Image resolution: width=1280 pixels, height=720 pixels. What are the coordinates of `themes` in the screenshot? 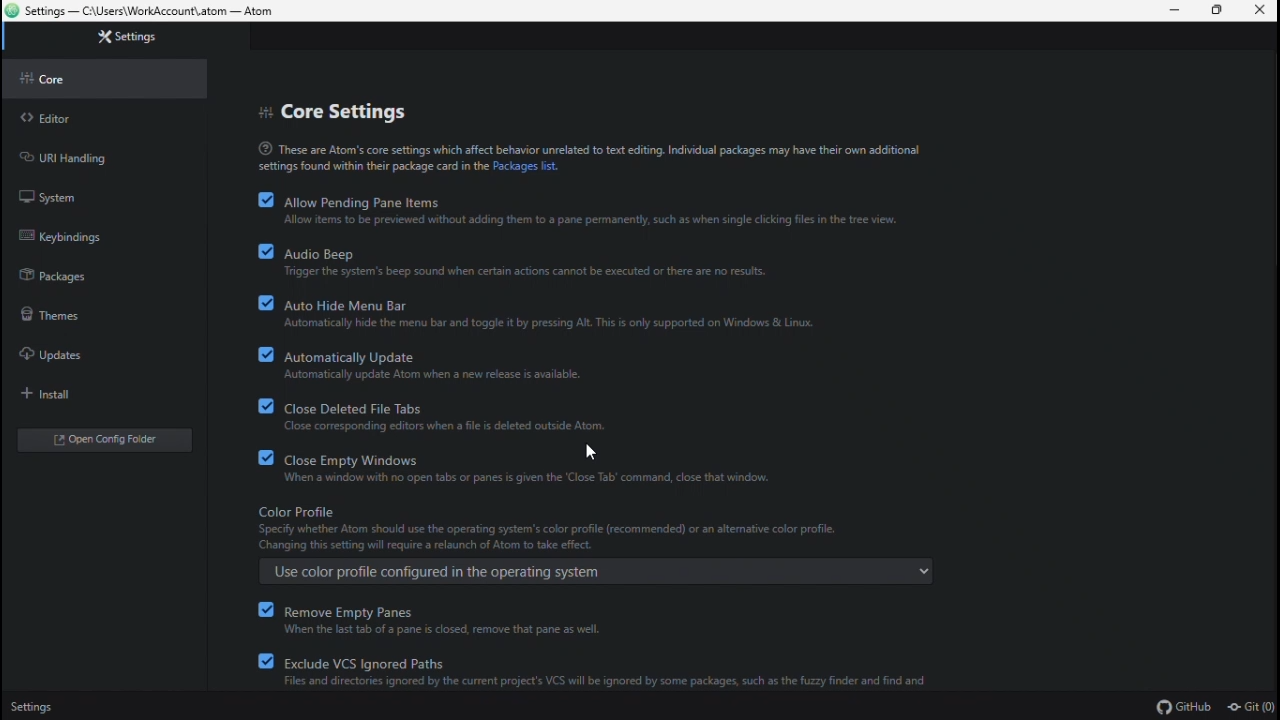 It's located at (83, 316).